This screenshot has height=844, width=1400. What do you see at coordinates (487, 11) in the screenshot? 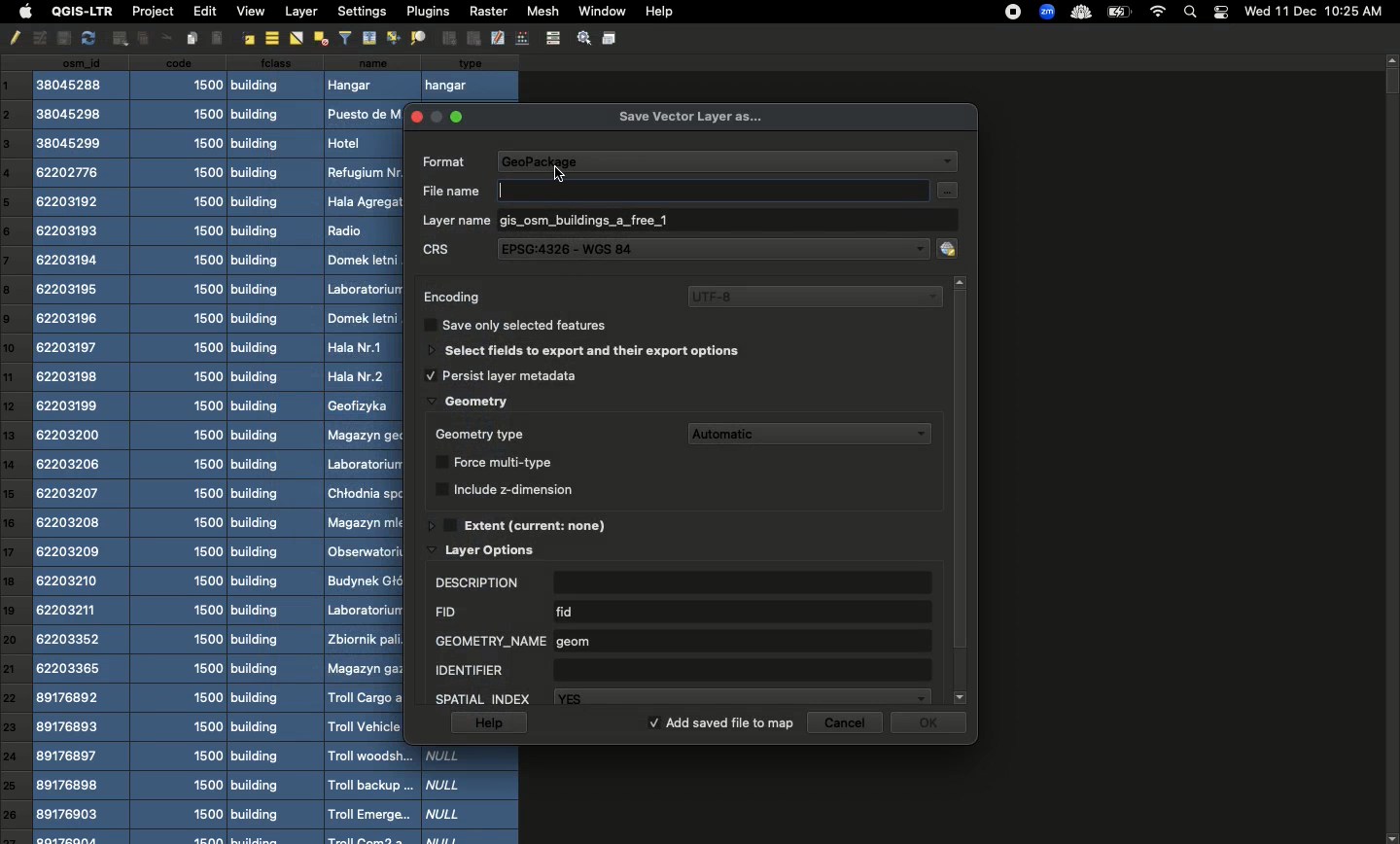
I see `Raster` at bounding box center [487, 11].